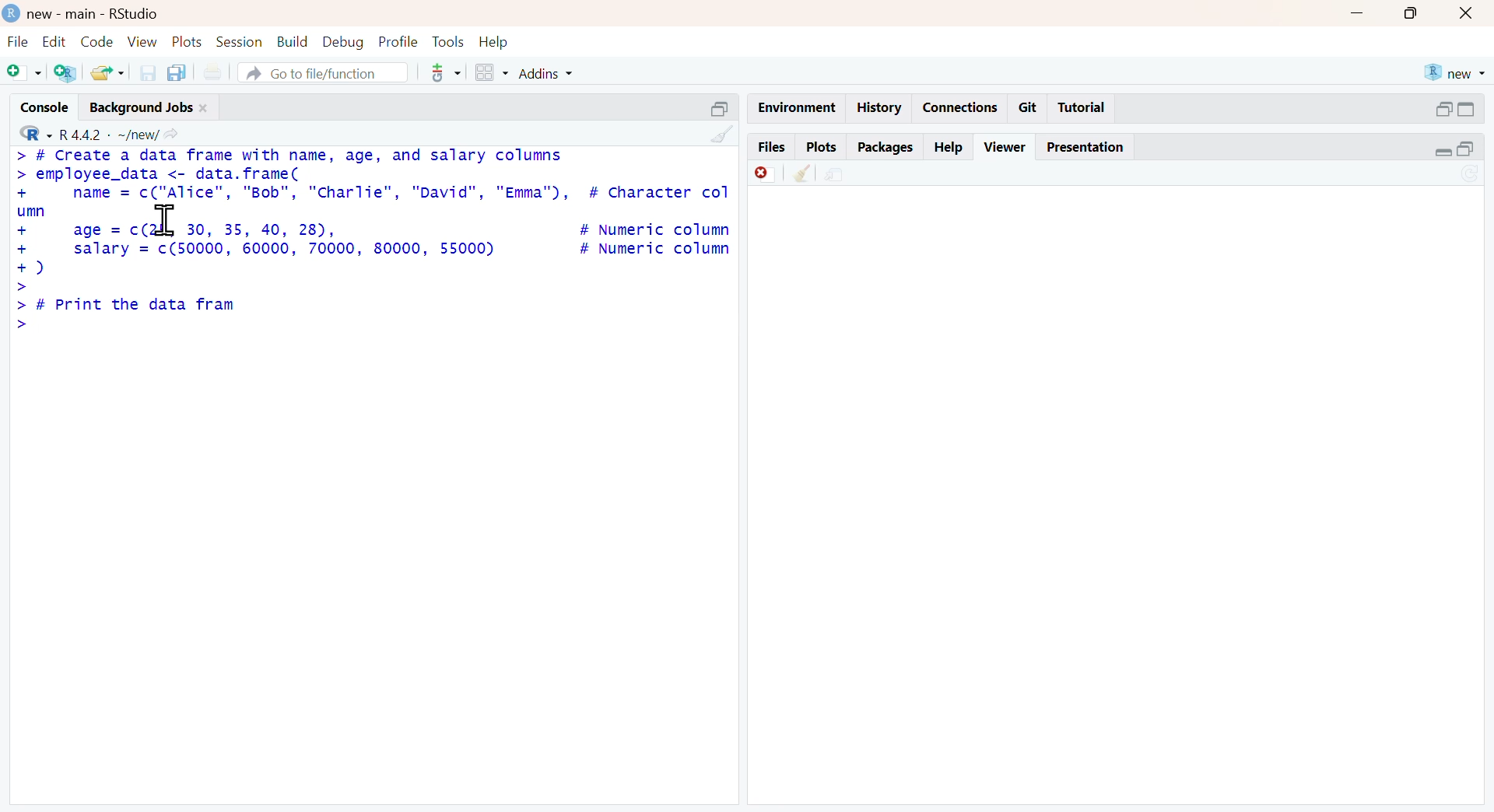 This screenshot has width=1494, height=812. I want to click on Help, so click(952, 145).